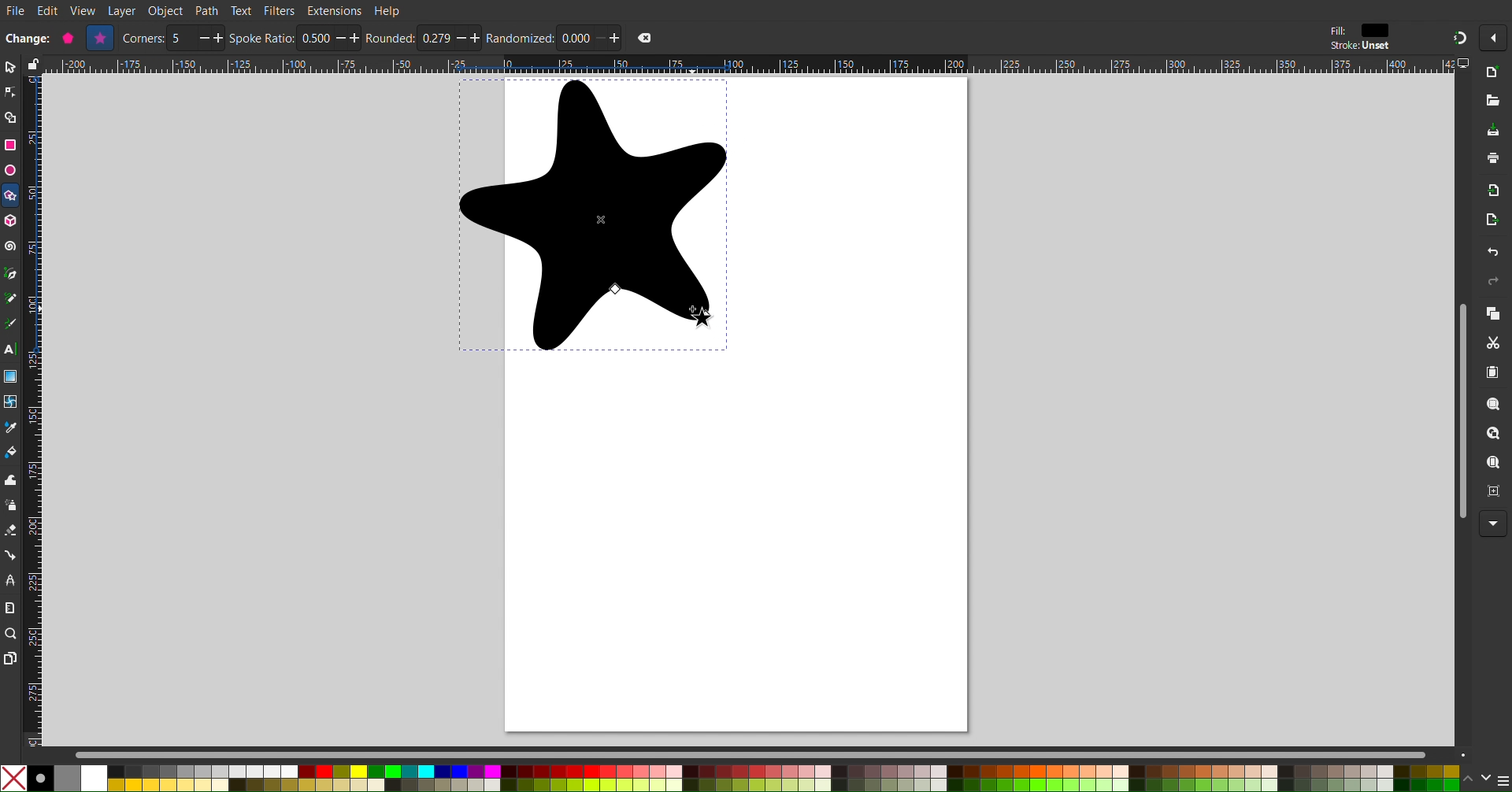 The width and height of the screenshot is (1512, 792). I want to click on New, so click(1495, 73).